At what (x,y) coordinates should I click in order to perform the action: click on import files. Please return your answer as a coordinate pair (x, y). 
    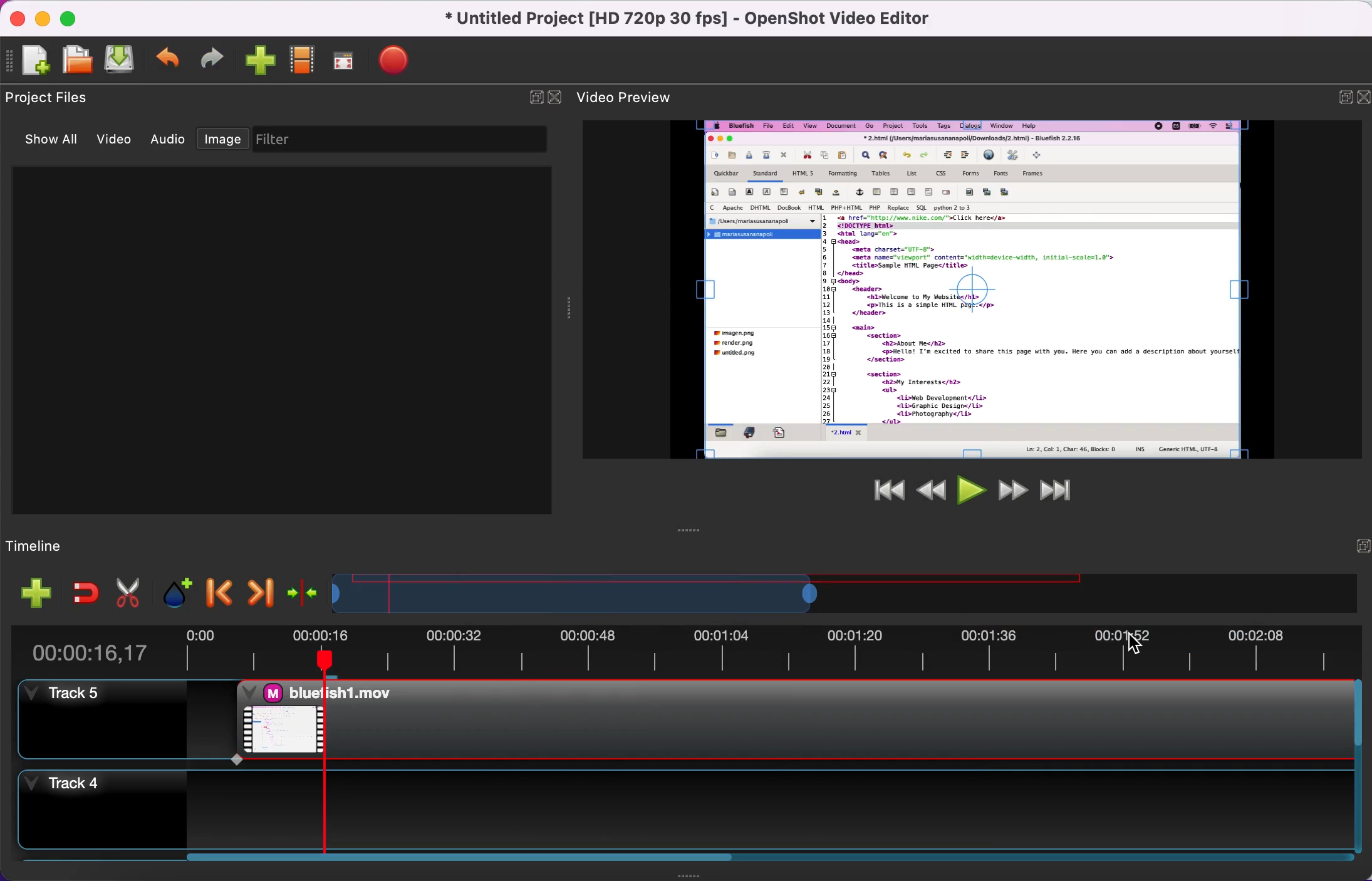
    Looking at the image, I should click on (261, 62).